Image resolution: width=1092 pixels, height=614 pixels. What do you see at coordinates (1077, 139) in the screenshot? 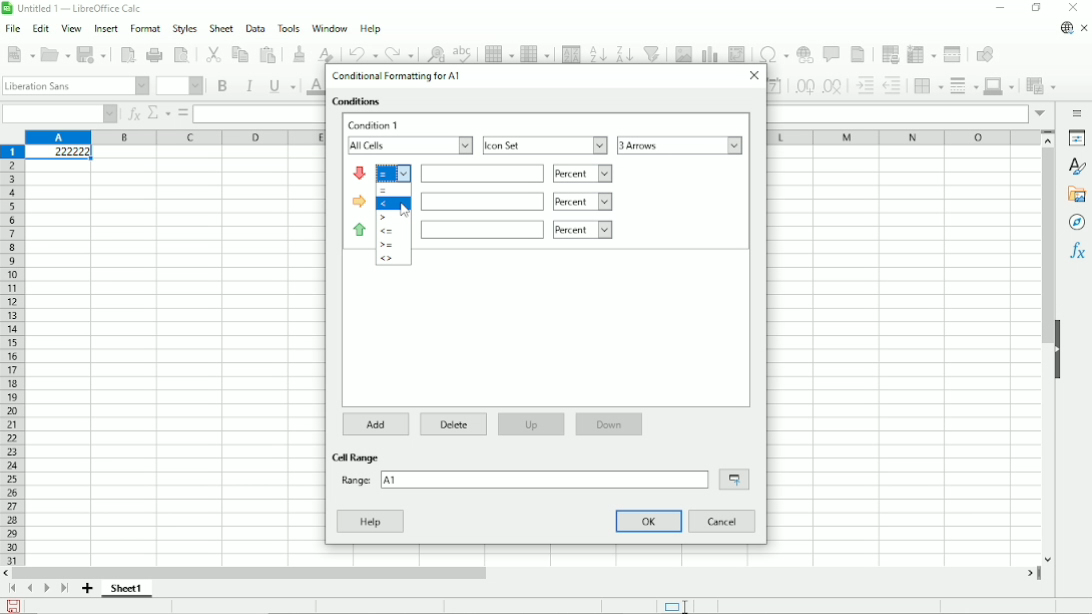
I see `Properties` at bounding box center [1077, 139].